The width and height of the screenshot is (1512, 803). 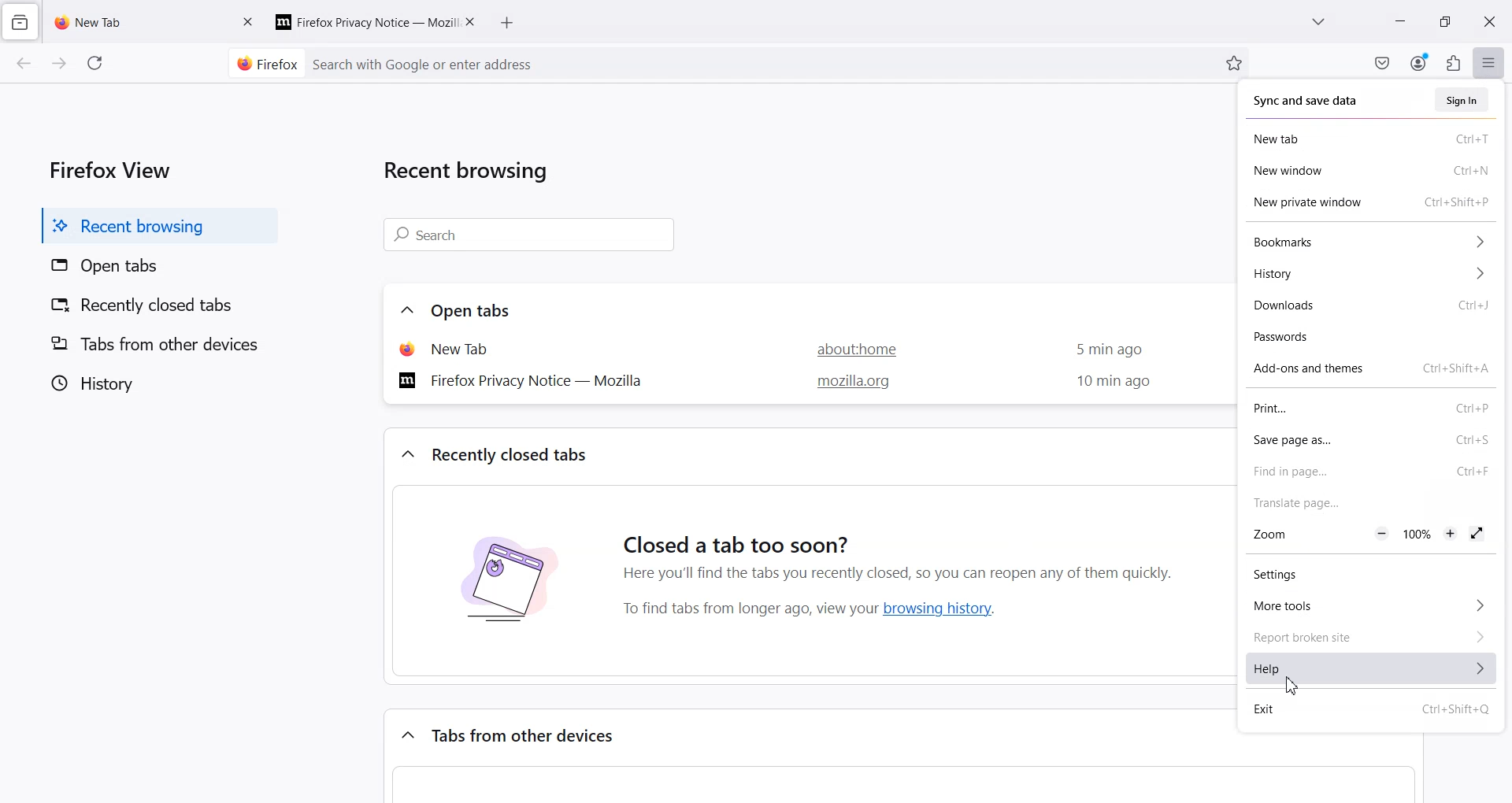 What do you see at coordinates (133, 20) in the screenshot?
I see `Current Tab` at bounding box center [133, 20].